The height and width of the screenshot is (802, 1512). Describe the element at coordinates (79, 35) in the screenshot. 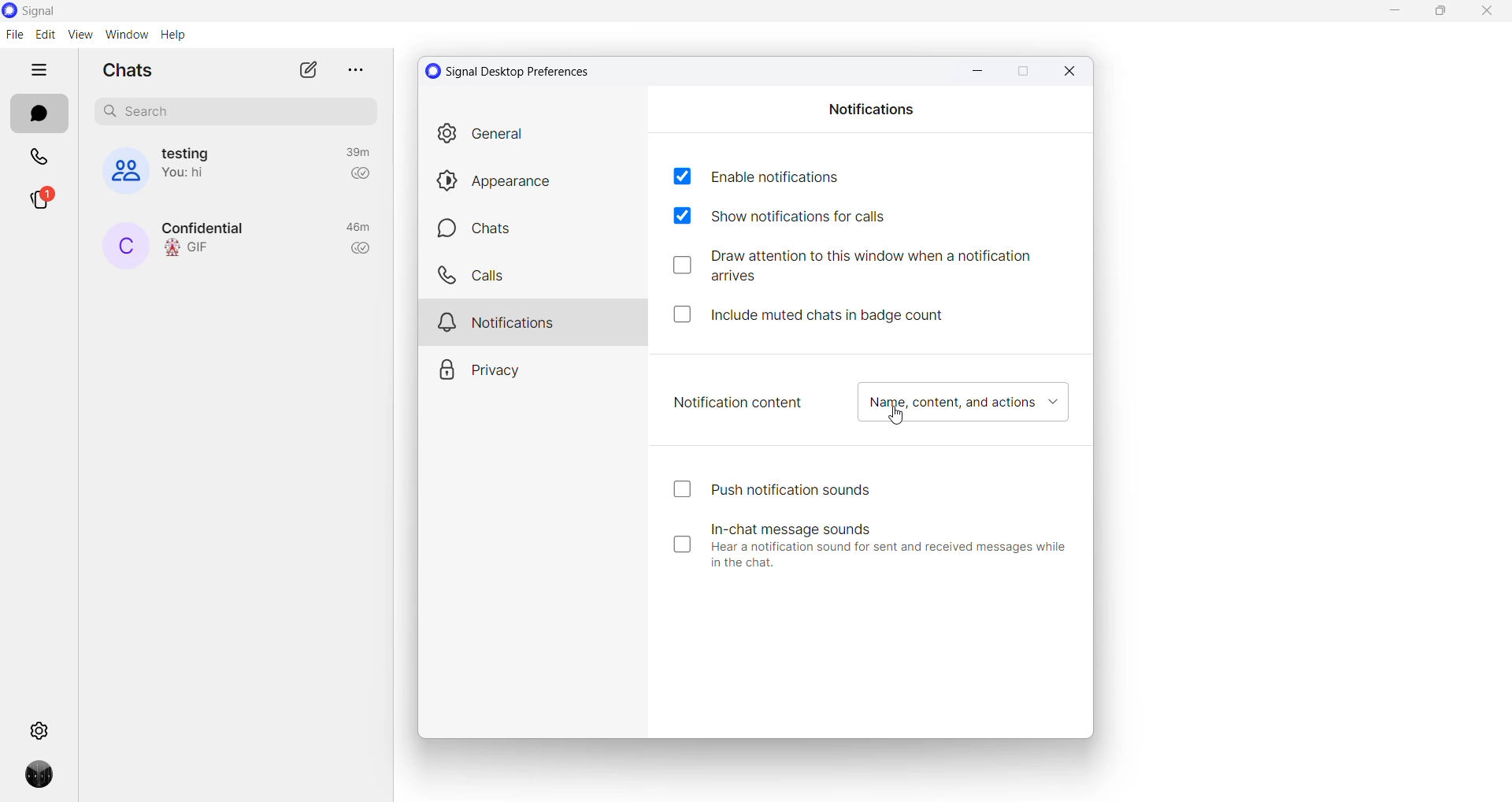

I see `view` at that location.